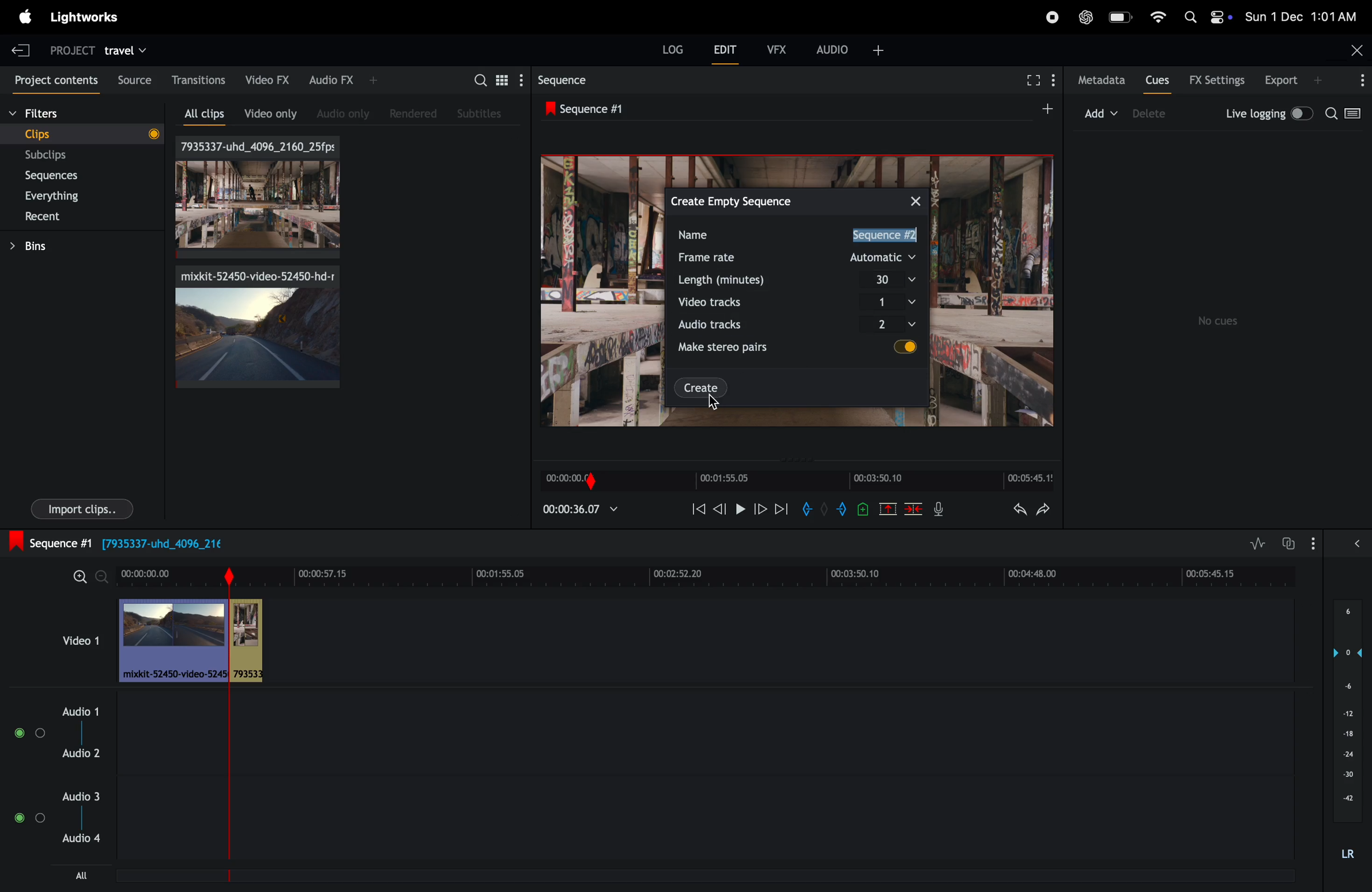 Image resolution: width=1372 pixels, height=892 pixels. Describe the element at coordinates (781, 508) in the screenshot. I see `next frame` at that location.